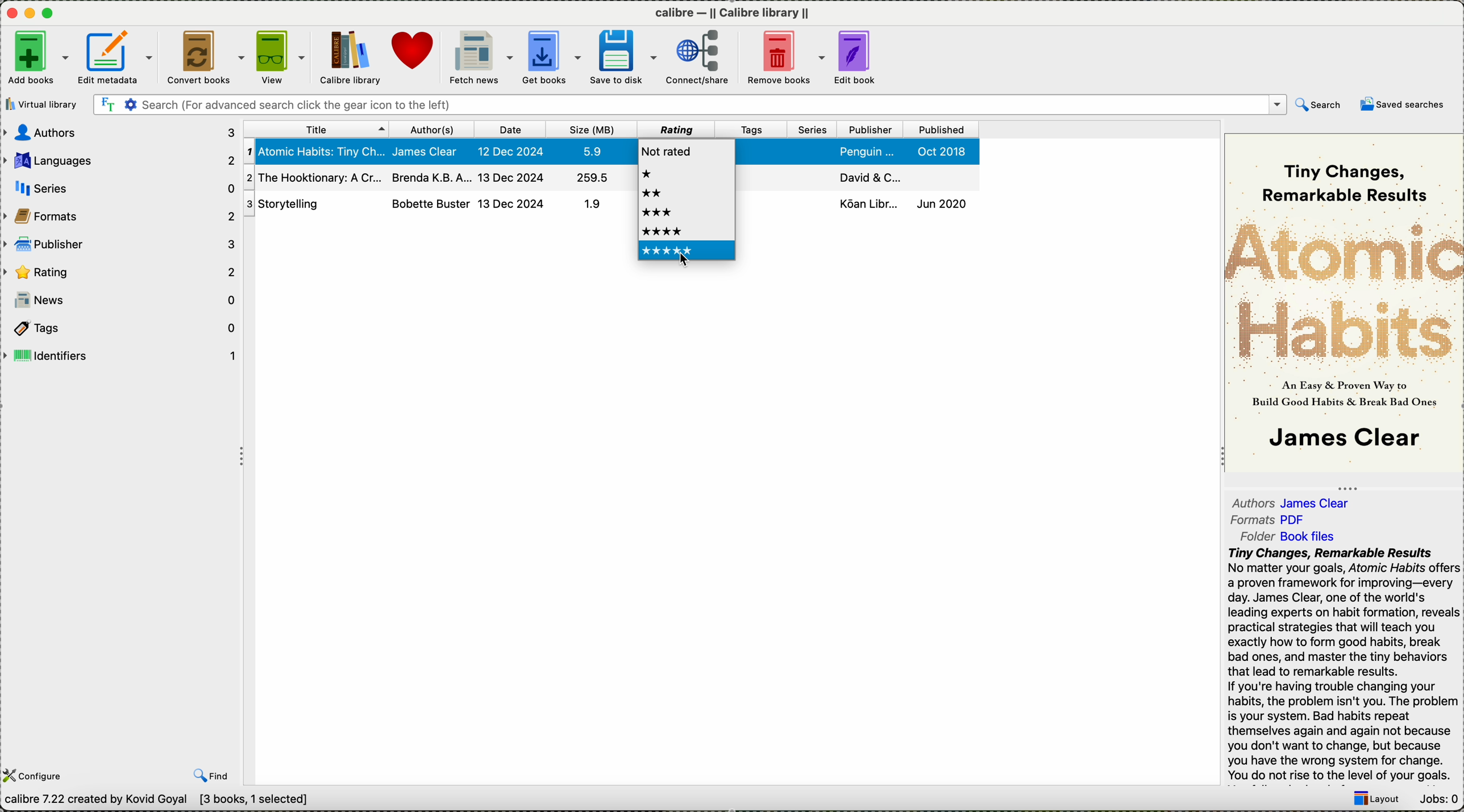 This screenshot has height=812, width=1464. What do you see at coordinates (552, 57) in the screenshot?
I see `get books` at bounding box center [552, 57].